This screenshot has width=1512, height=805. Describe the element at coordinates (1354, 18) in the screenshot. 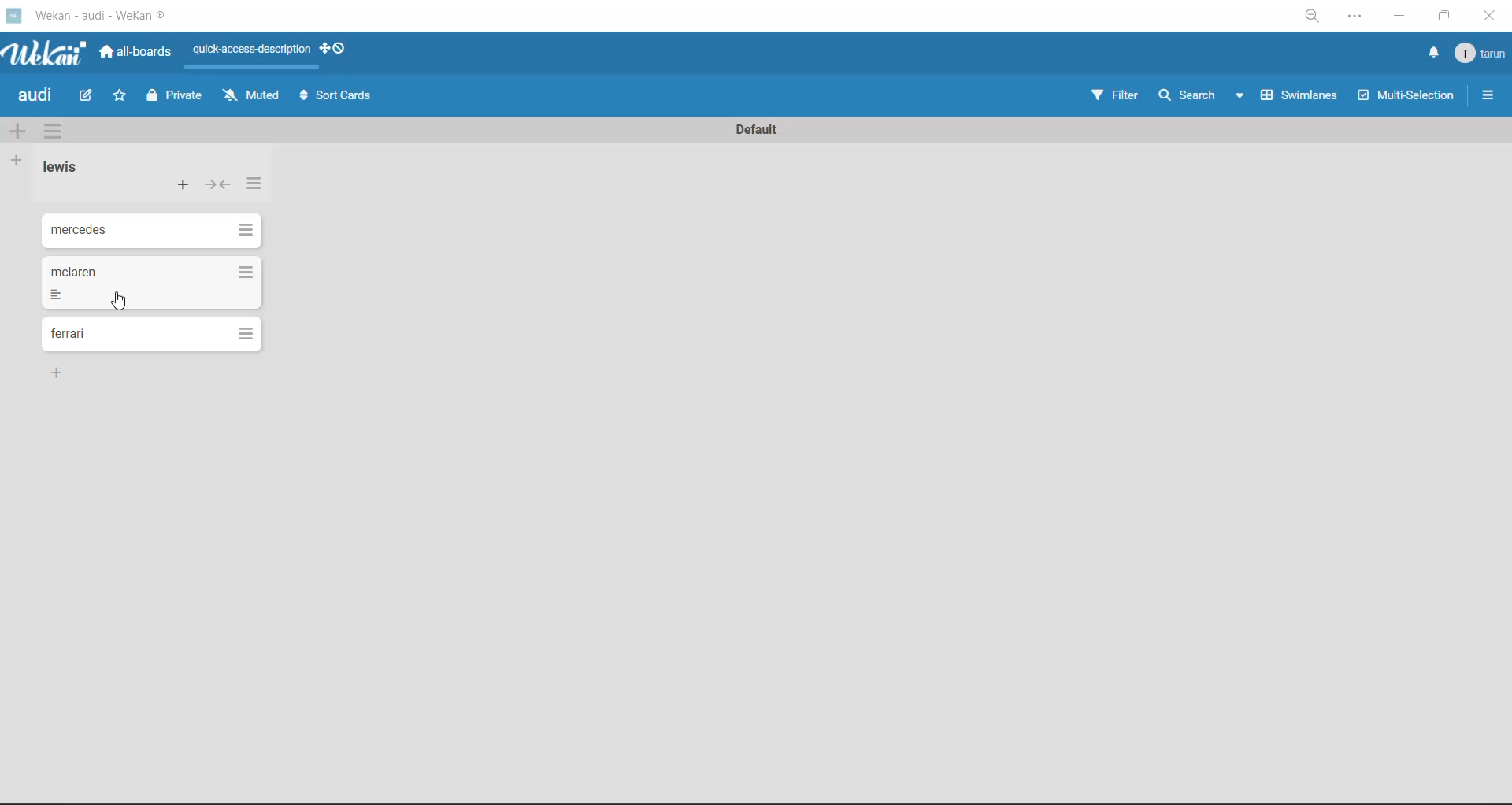

I see `settings` at that location.